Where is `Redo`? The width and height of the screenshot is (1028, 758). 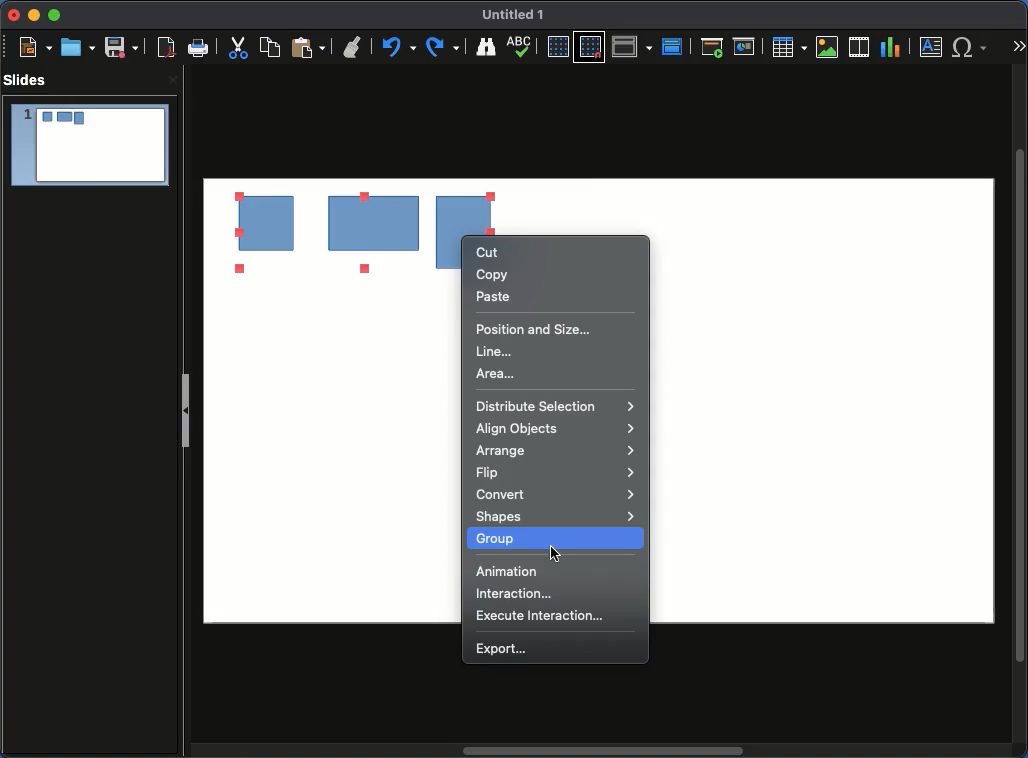 Redo is located at coordinates (445, 47).